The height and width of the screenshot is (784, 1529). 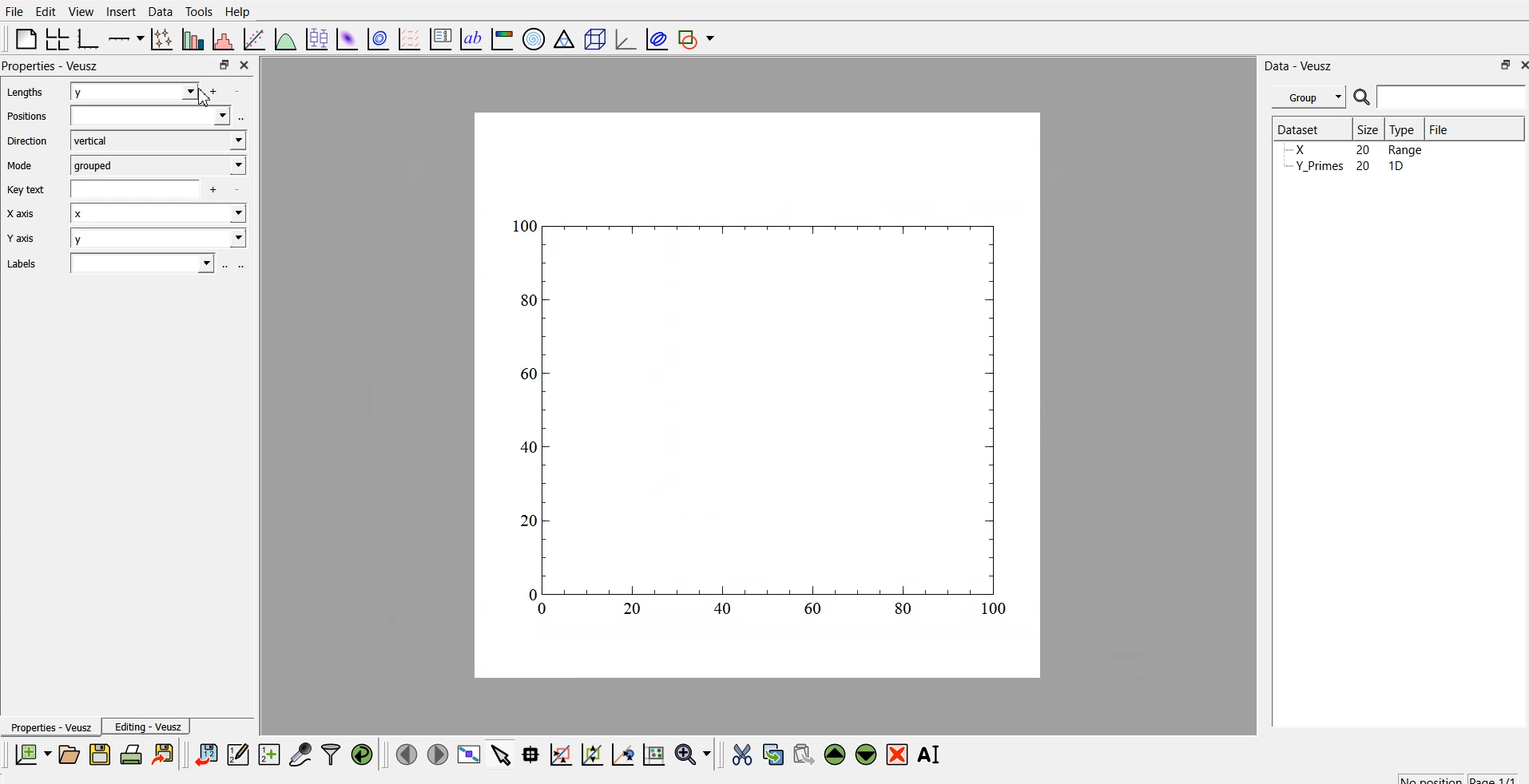 I want to click on View, so click(x=82, y=11).